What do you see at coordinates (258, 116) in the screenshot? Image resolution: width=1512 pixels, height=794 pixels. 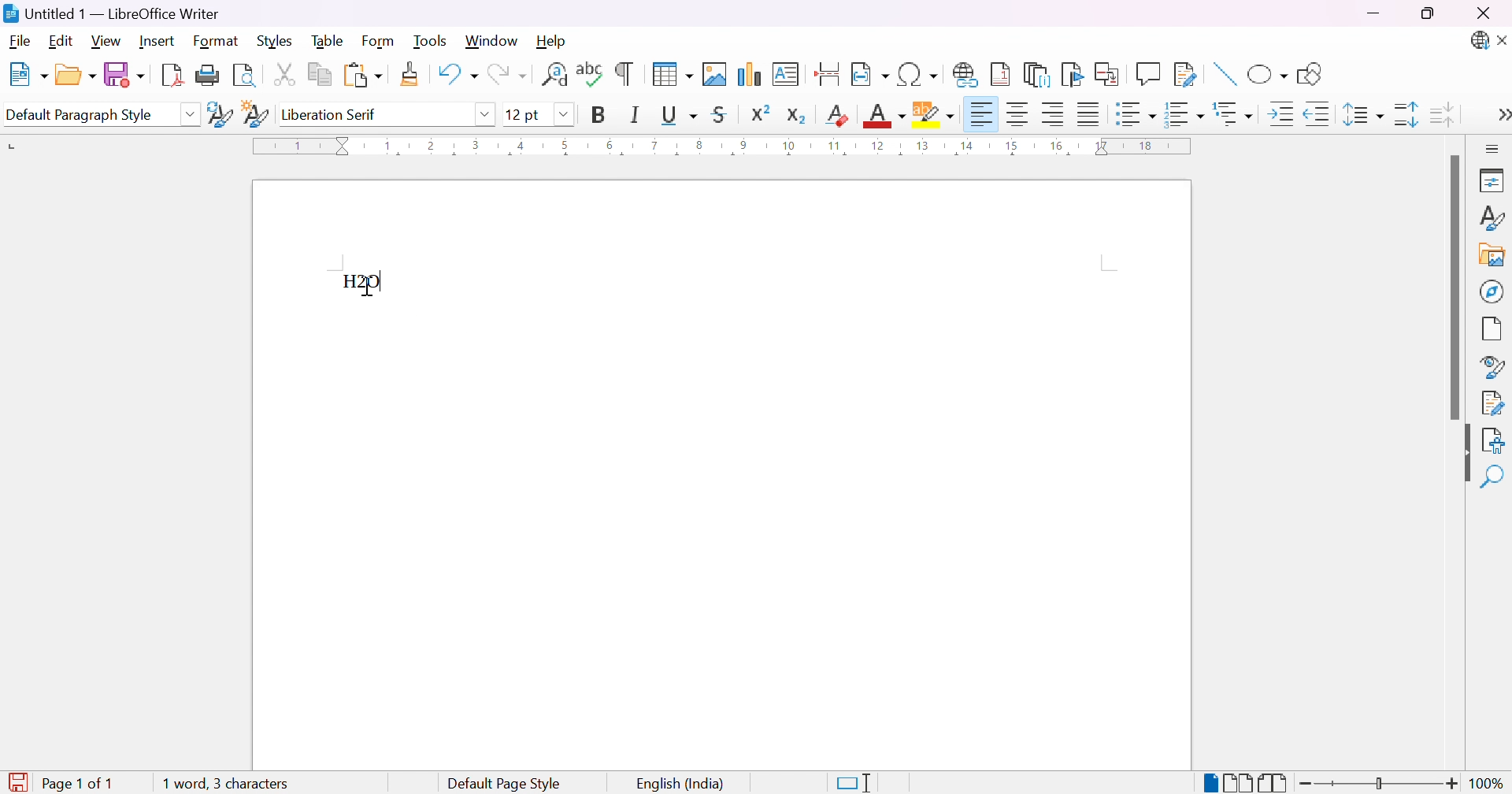 I see `New style from selection` at bounding box center [258, 116].